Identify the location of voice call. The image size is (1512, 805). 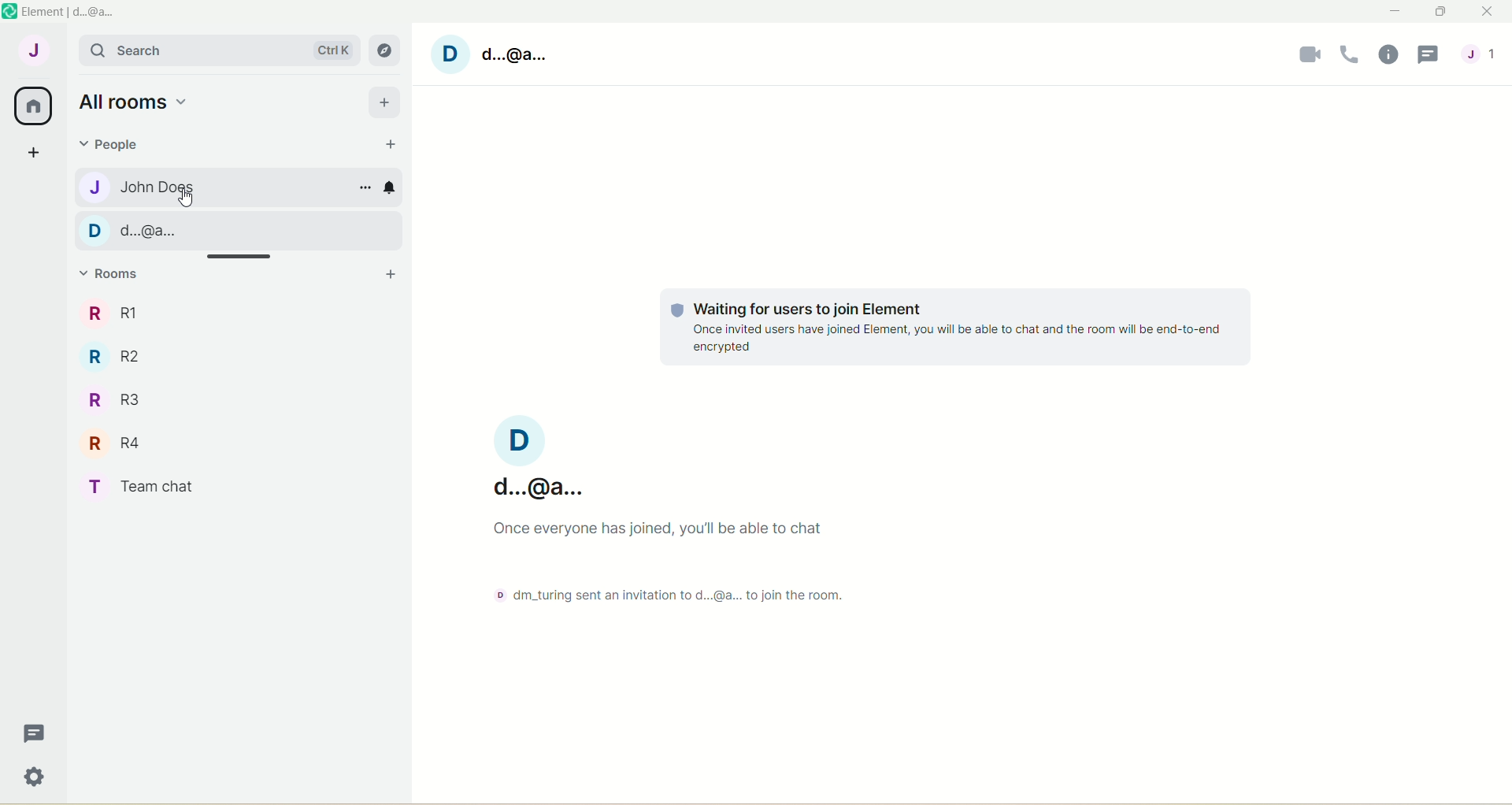
(1347, 58).